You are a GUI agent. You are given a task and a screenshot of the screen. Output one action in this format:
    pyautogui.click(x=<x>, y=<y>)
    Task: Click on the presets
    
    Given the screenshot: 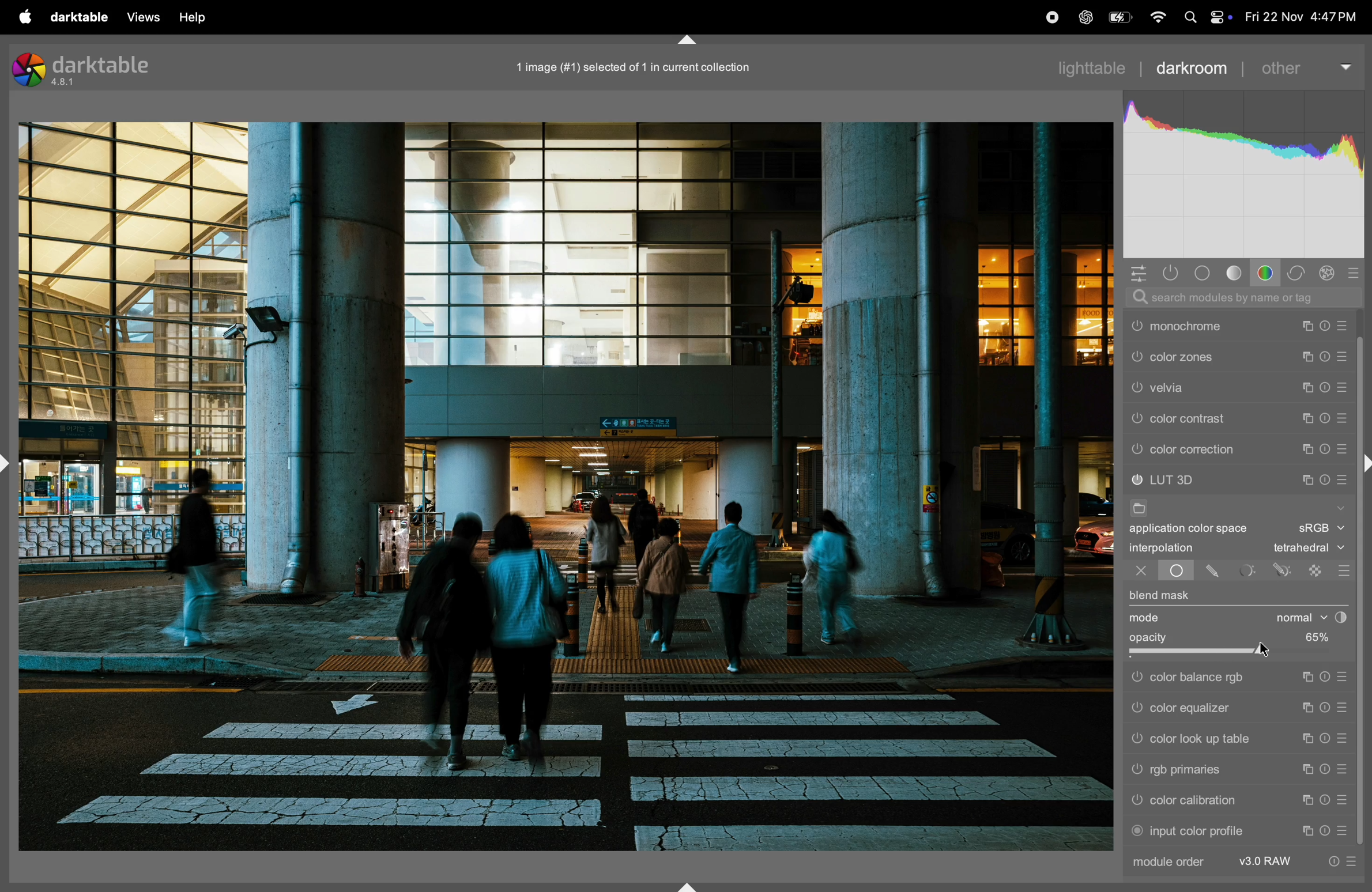 What is the action you would take?
    pyautogui.click(x=1341, y=800)
    